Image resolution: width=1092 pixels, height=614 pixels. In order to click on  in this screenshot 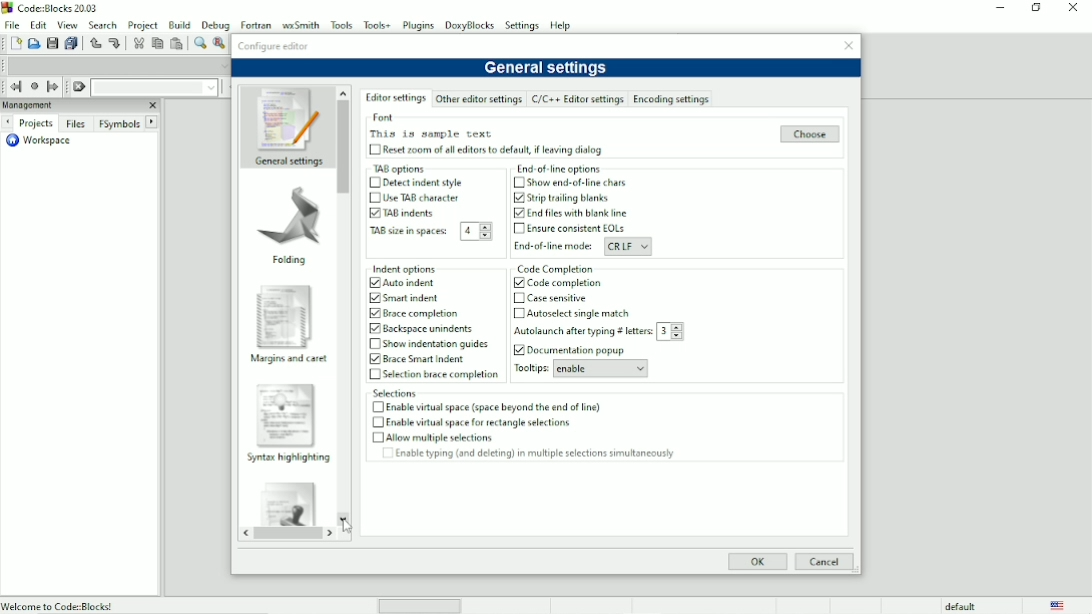, I will do `click(372, 182)`.